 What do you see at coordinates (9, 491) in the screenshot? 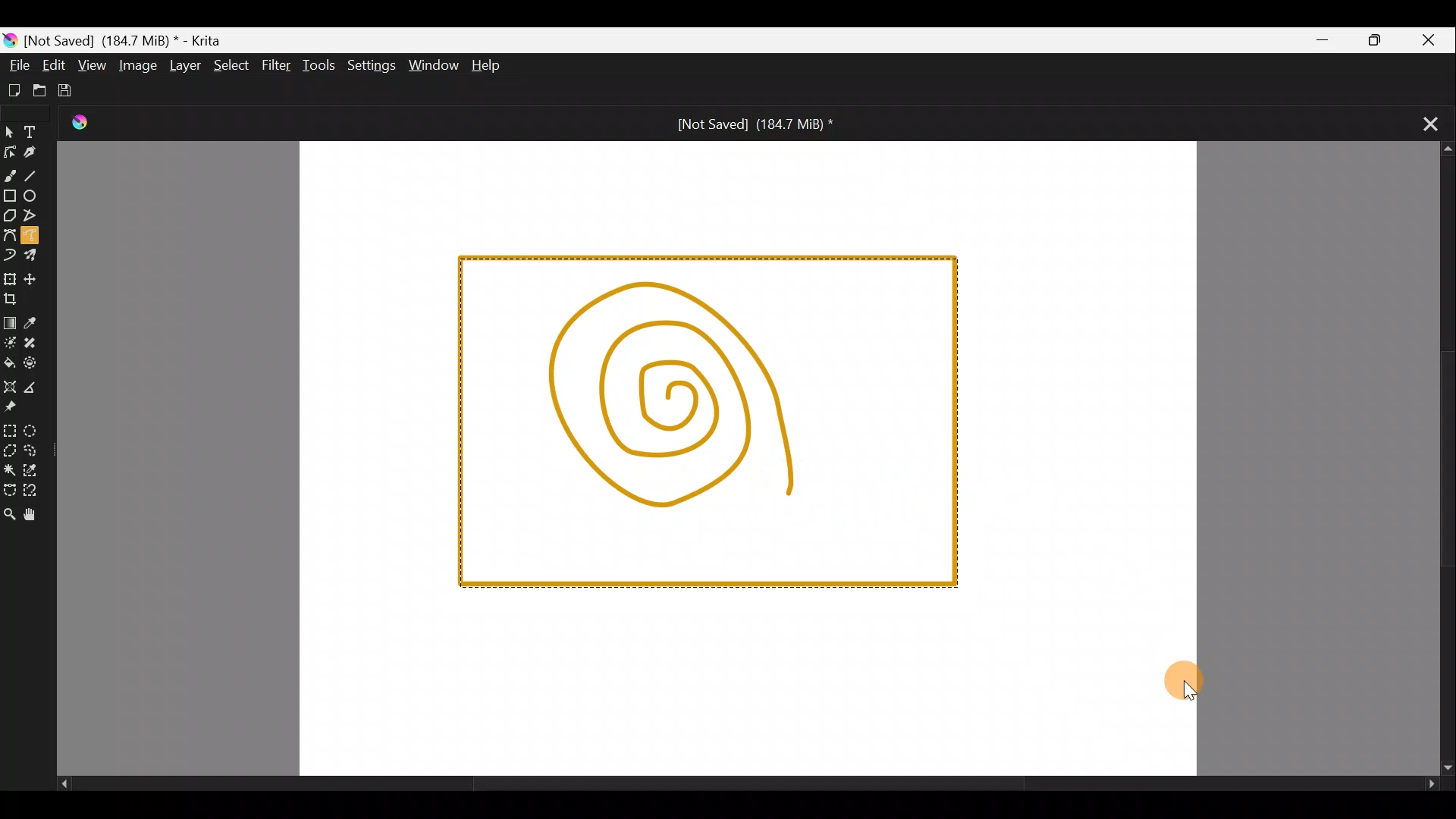
I see `Bezier curve selection tool` at bounding box center [9, 491].